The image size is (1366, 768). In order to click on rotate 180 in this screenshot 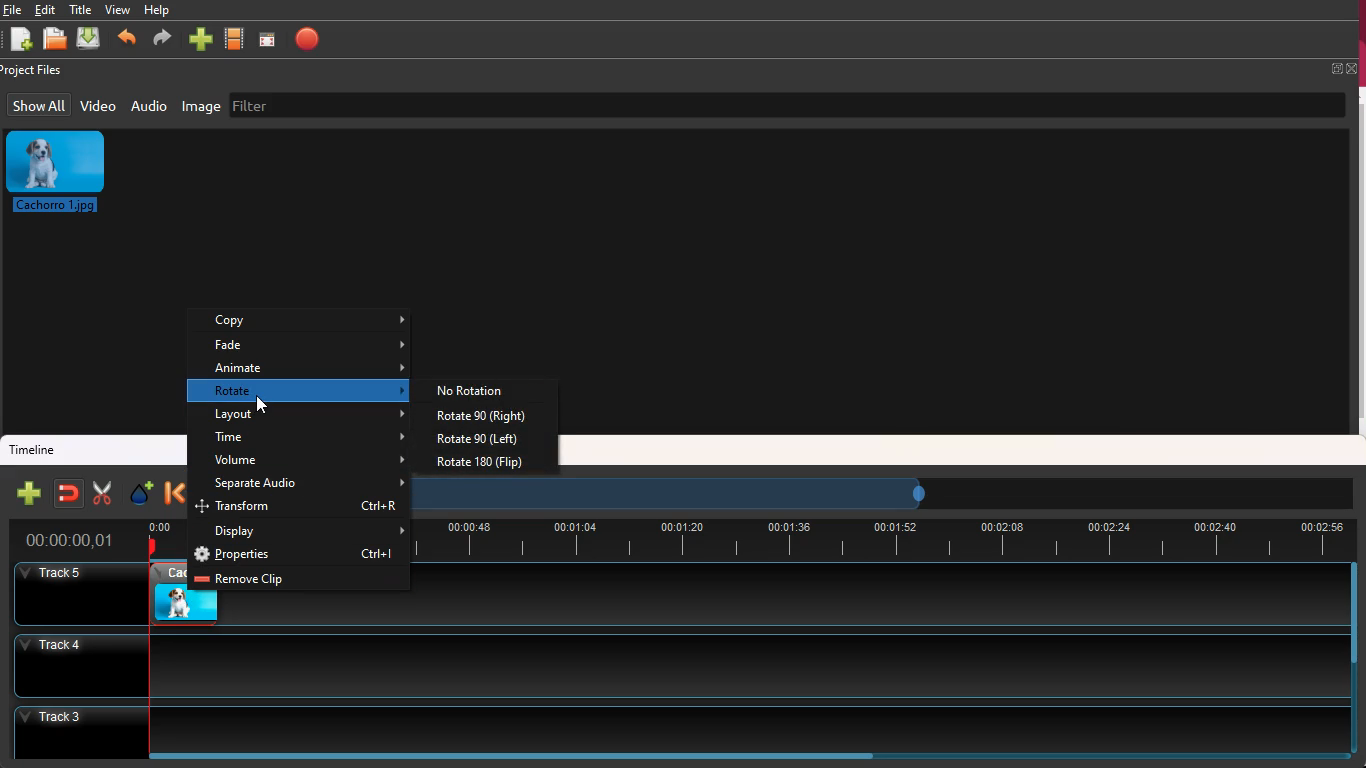, I will do `click(483, 465)`.